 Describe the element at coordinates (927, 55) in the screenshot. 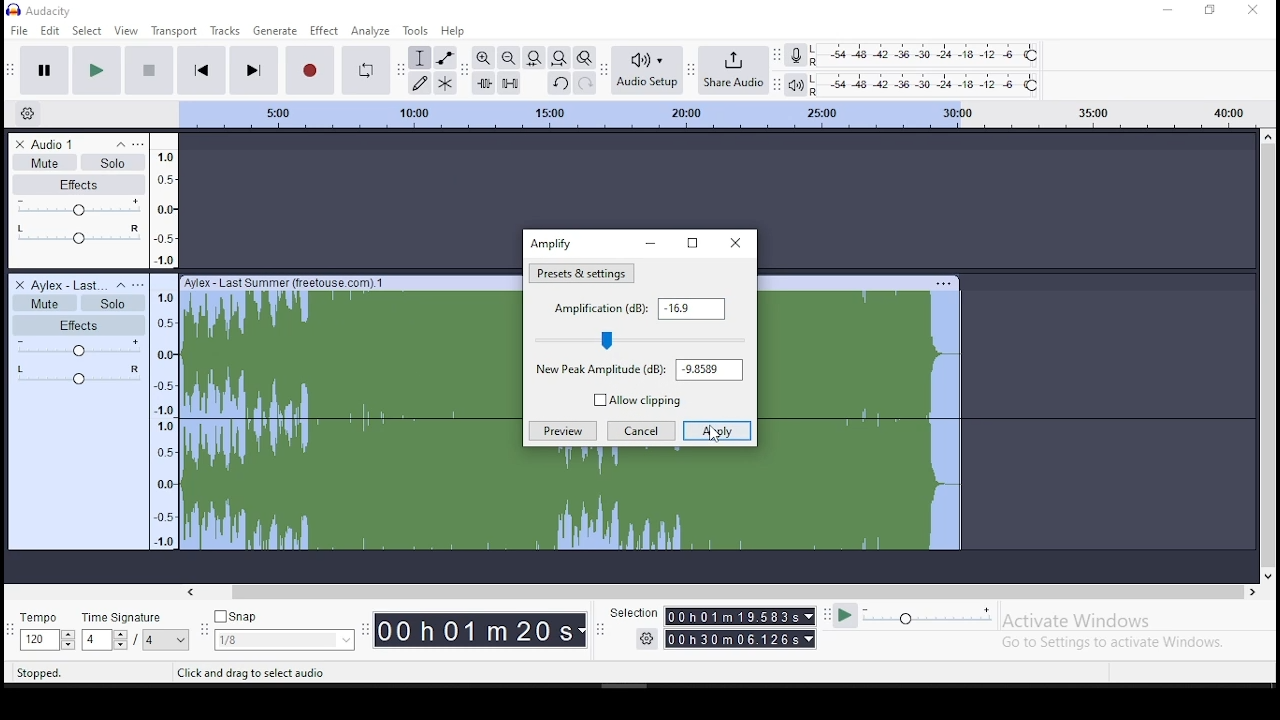

I see `recording level` at that location.